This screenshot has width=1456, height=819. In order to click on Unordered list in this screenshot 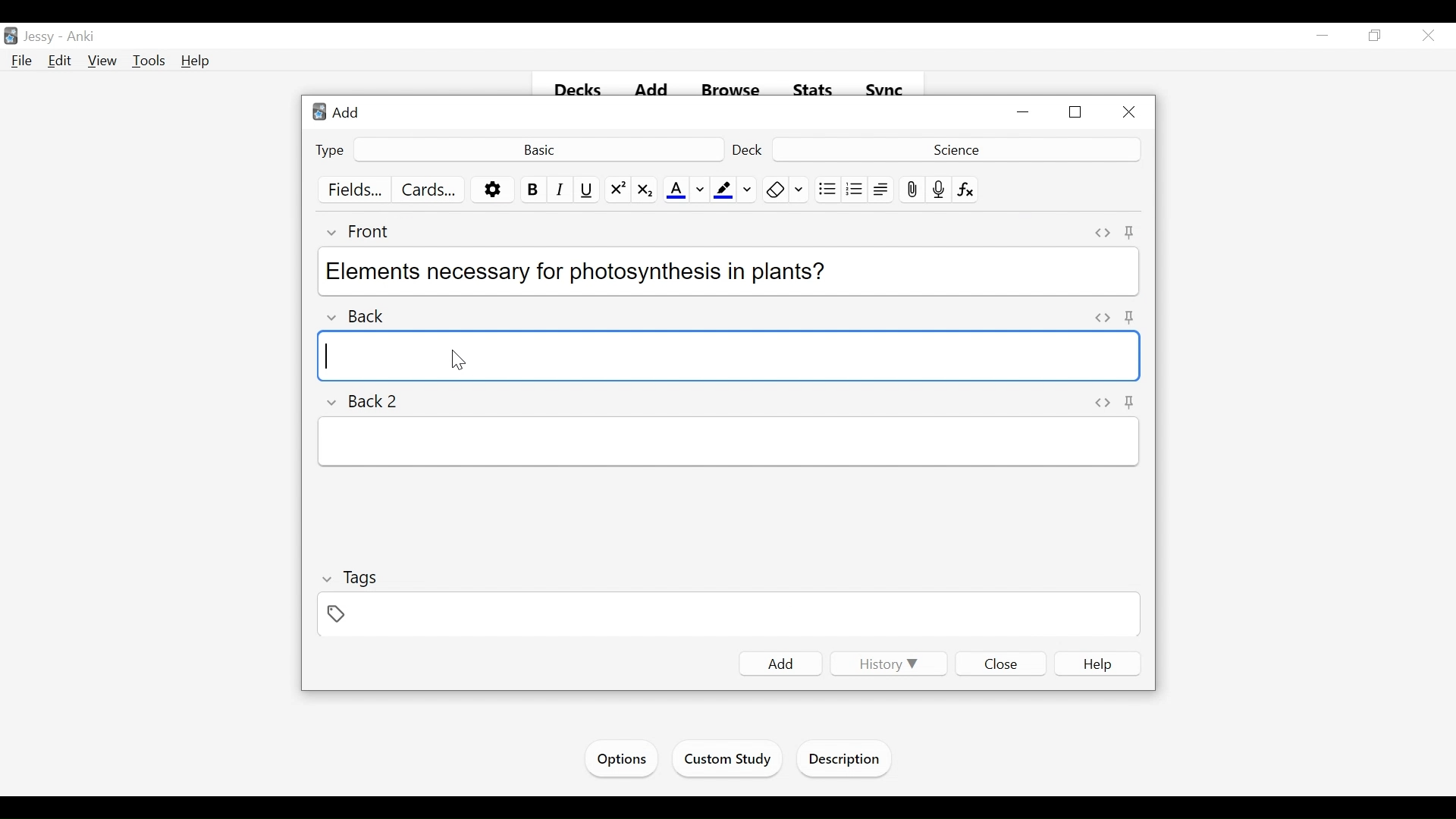, I will do `click(827, 190)`.